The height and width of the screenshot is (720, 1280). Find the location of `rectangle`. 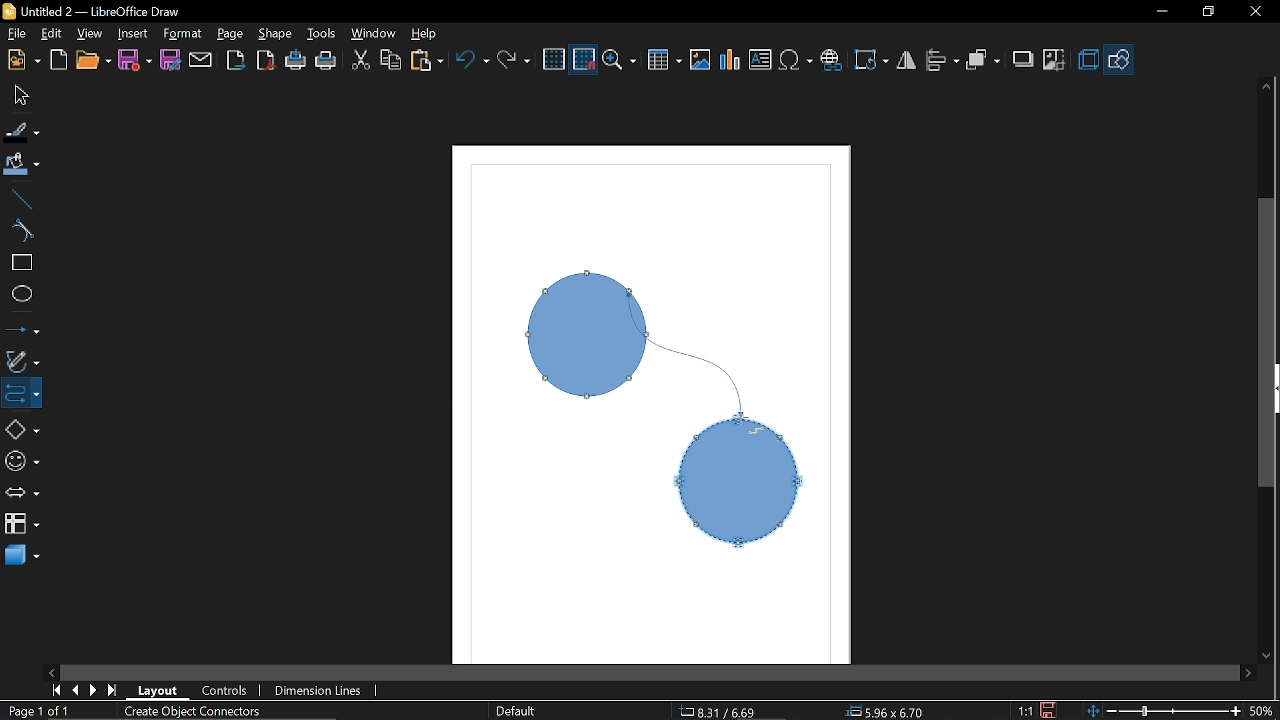

rectangle is located at coordinates (19, 262).